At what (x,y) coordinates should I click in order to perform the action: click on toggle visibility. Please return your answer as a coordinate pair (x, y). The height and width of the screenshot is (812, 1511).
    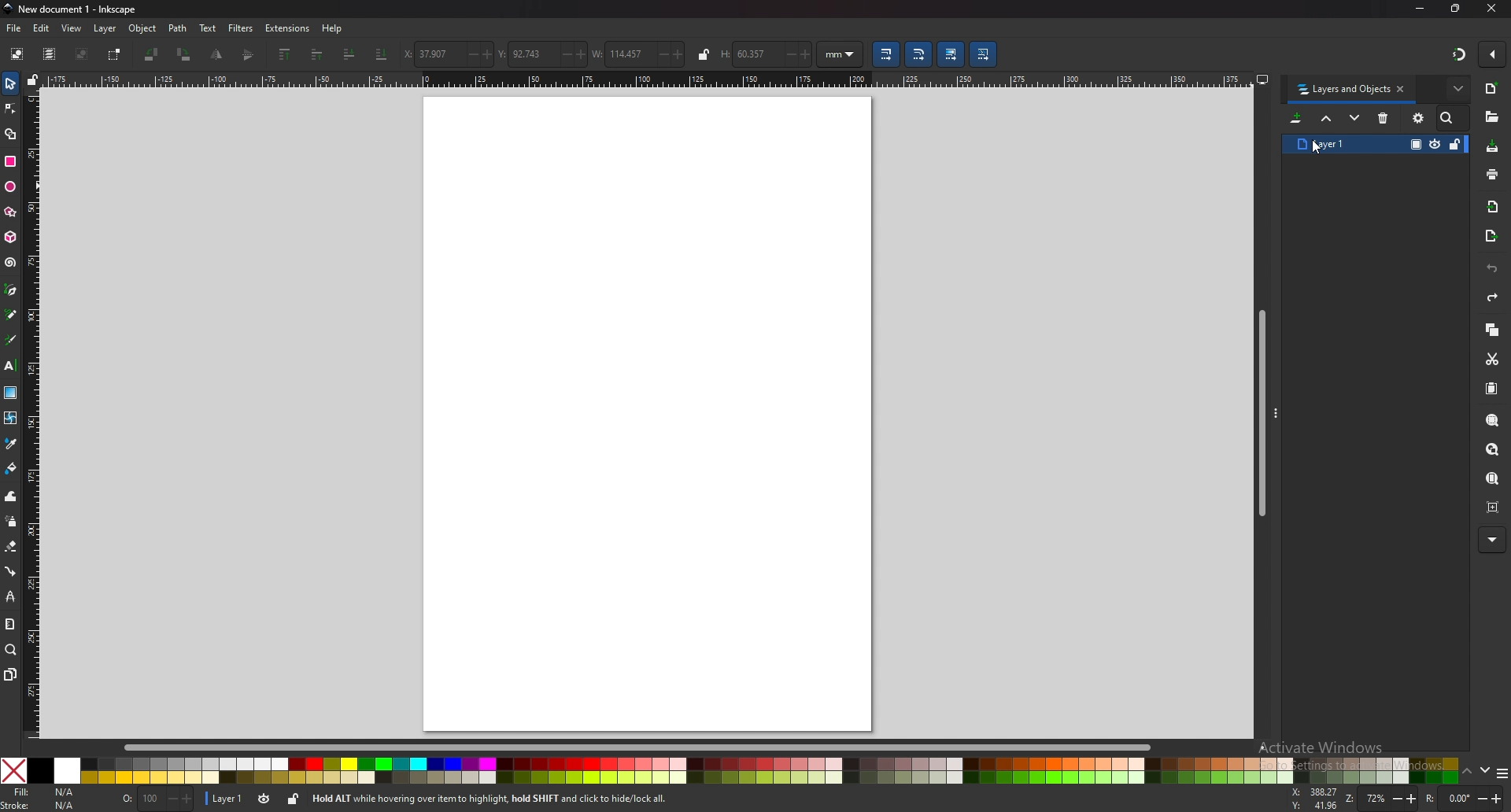
    Looking at the image, I should click on (264, 798).